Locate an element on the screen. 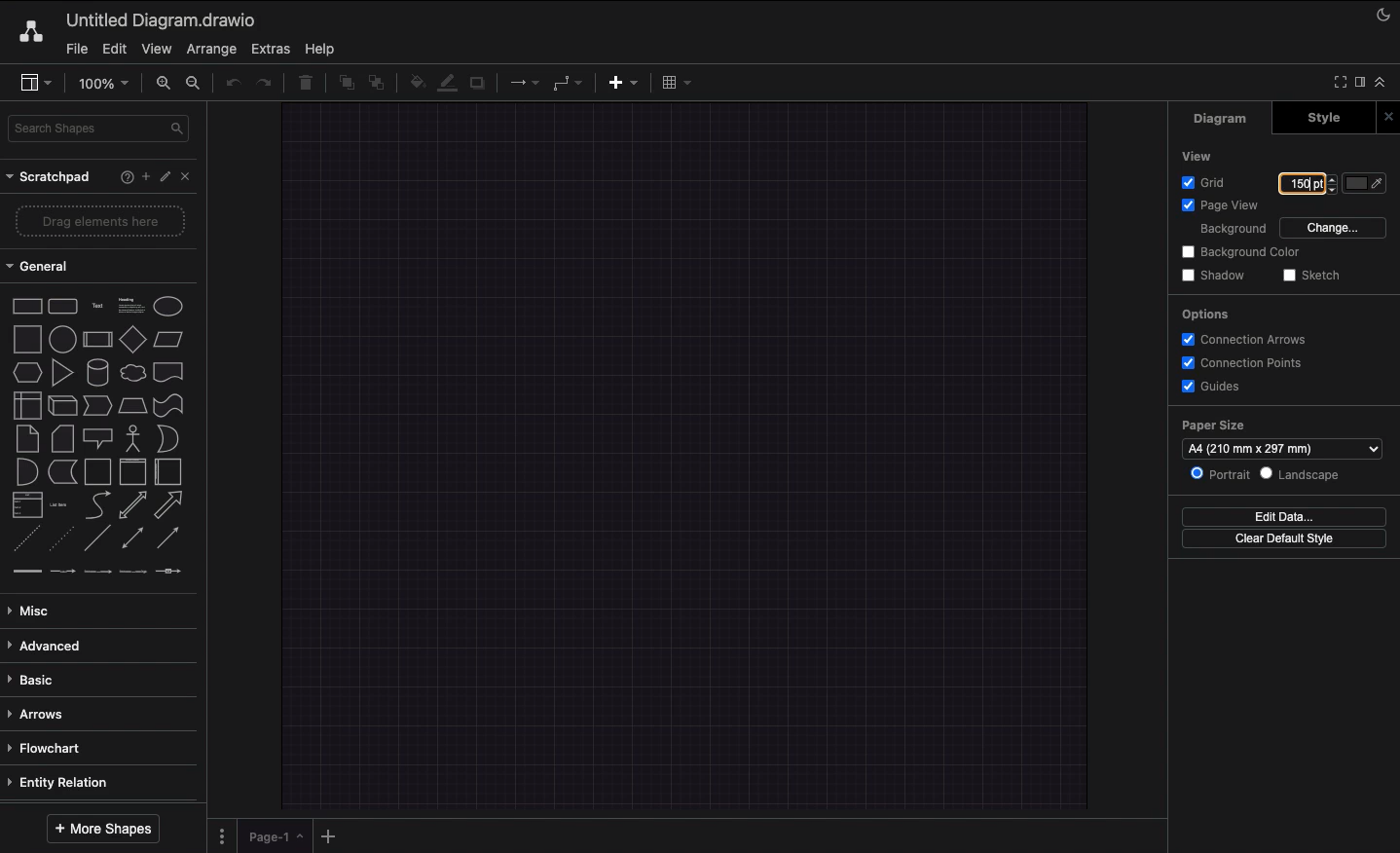  Move to front is located at coordinates (343, 86).